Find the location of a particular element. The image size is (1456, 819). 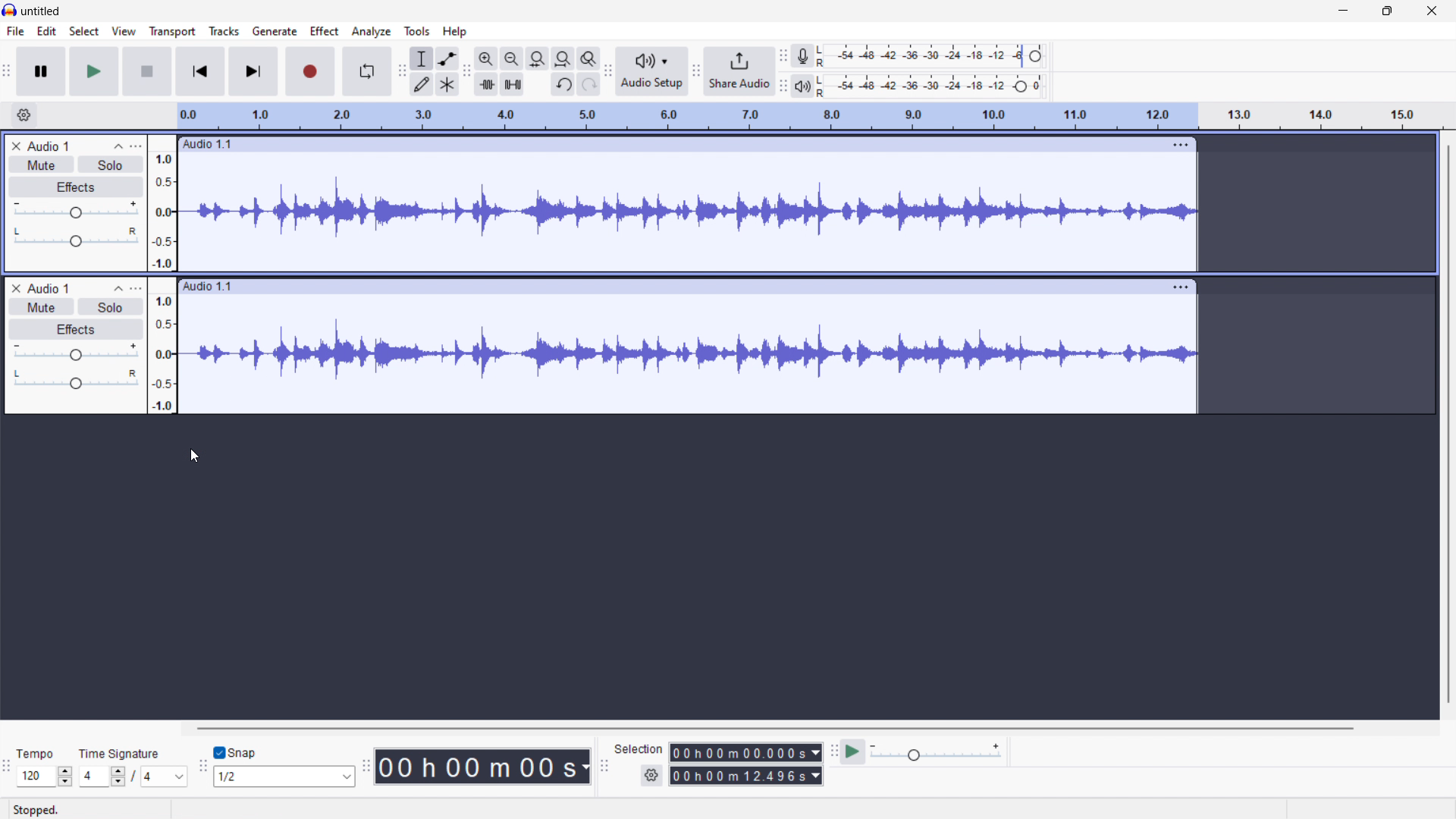

transport is located at coordinates (172, 31).